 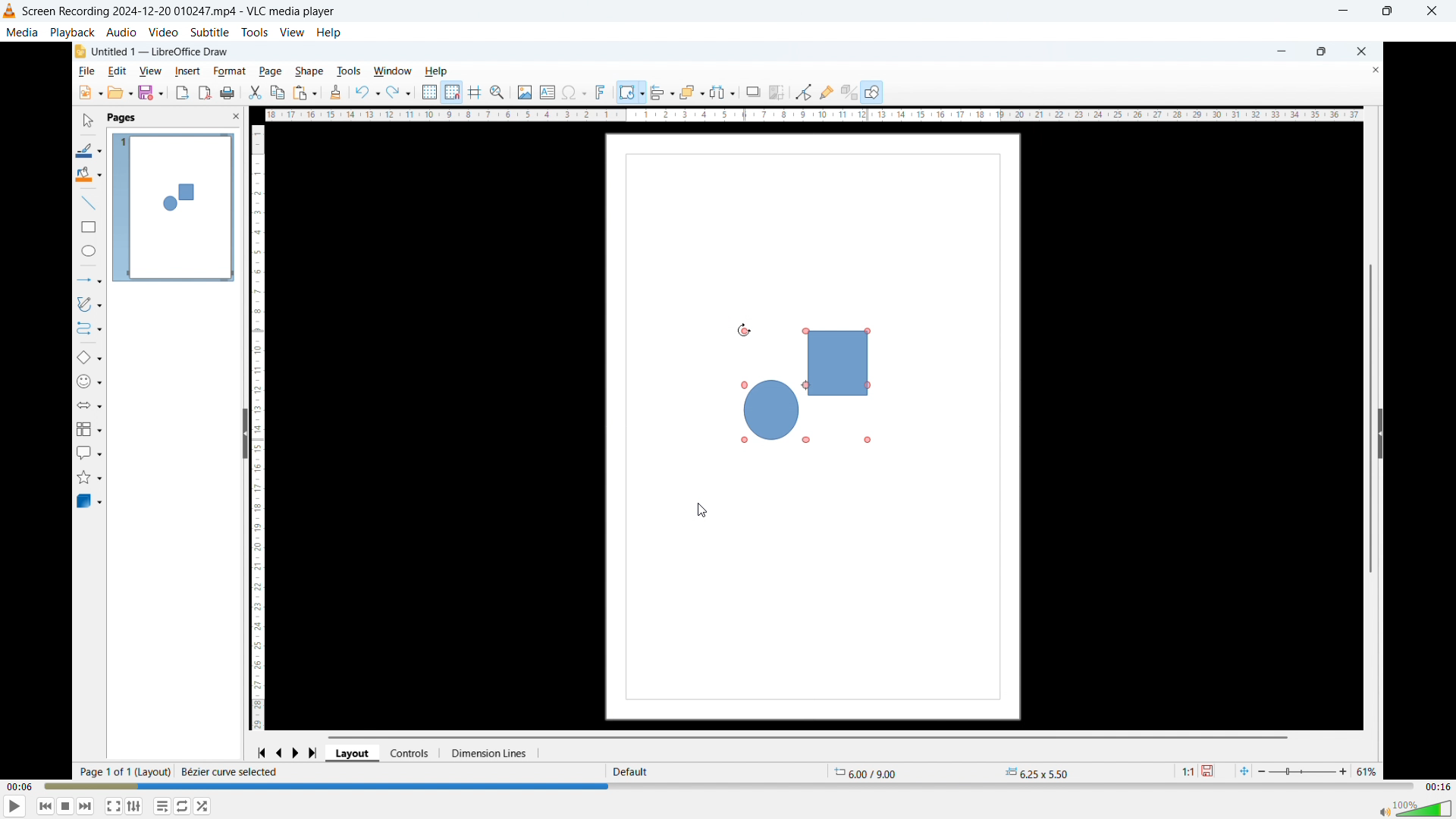 What do you see at coordinates (114, 806) in the screenshot?
I see `Full screen ` at bounding box center [114, 806].